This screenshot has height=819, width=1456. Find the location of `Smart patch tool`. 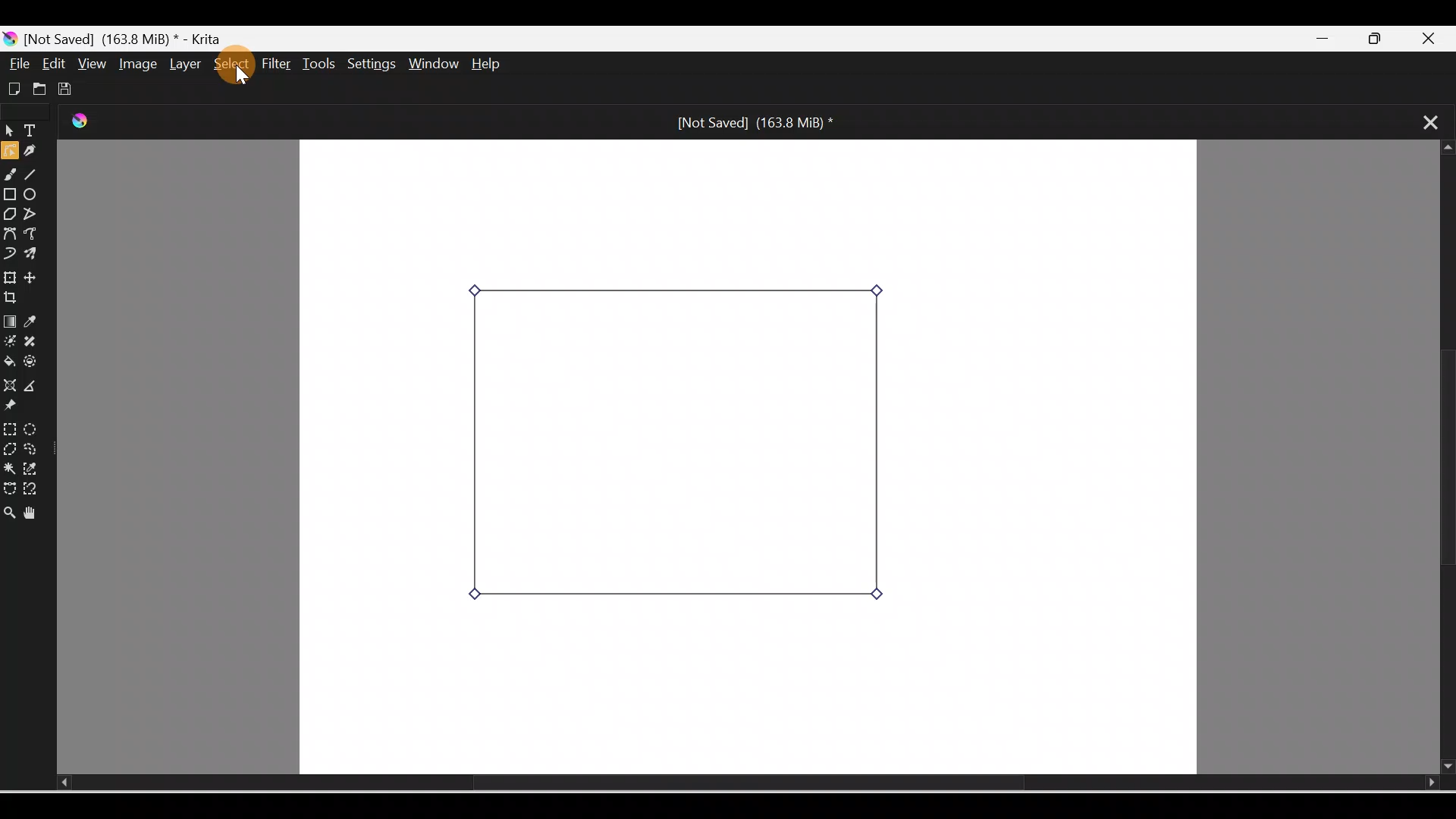

Smart patch tool is located at coordinates (37, 342).